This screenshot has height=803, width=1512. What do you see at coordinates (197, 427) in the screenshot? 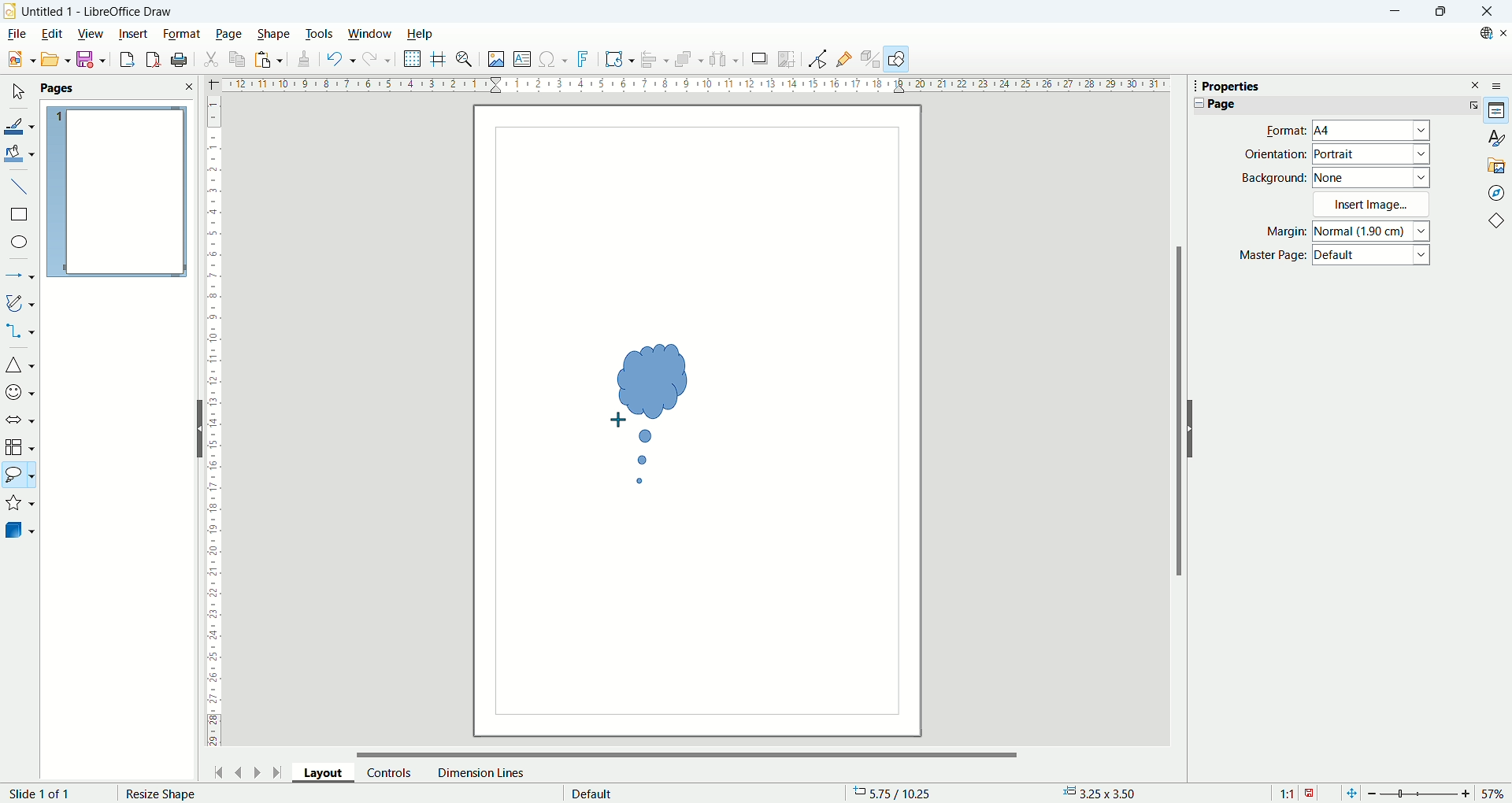
I see `Hide` at bounding box center [197, 427].